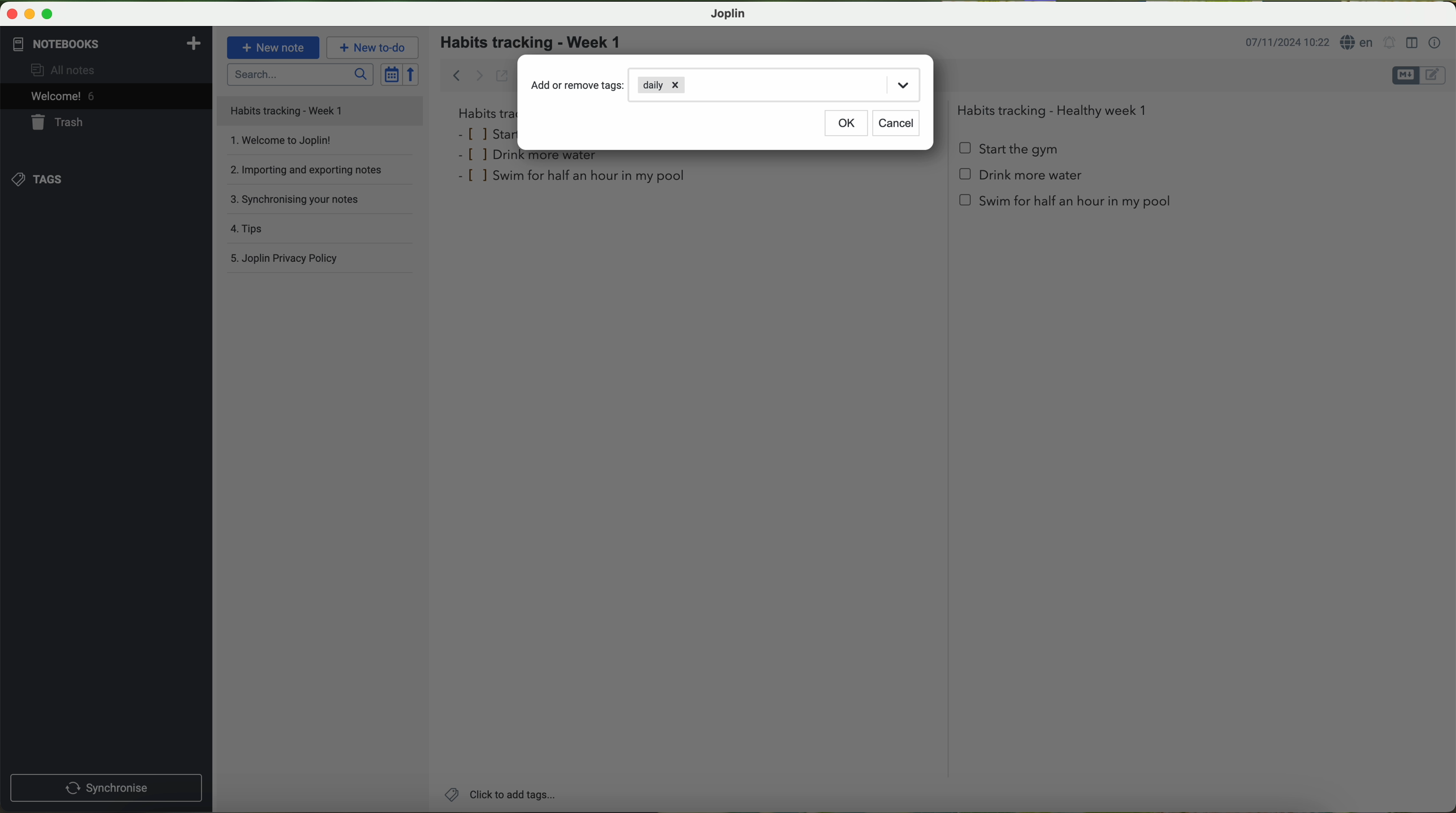 The image size is (1456, 813). Describe the element at coordinates (1287, 41) in the screenshot. I see `date and hour` at that location.